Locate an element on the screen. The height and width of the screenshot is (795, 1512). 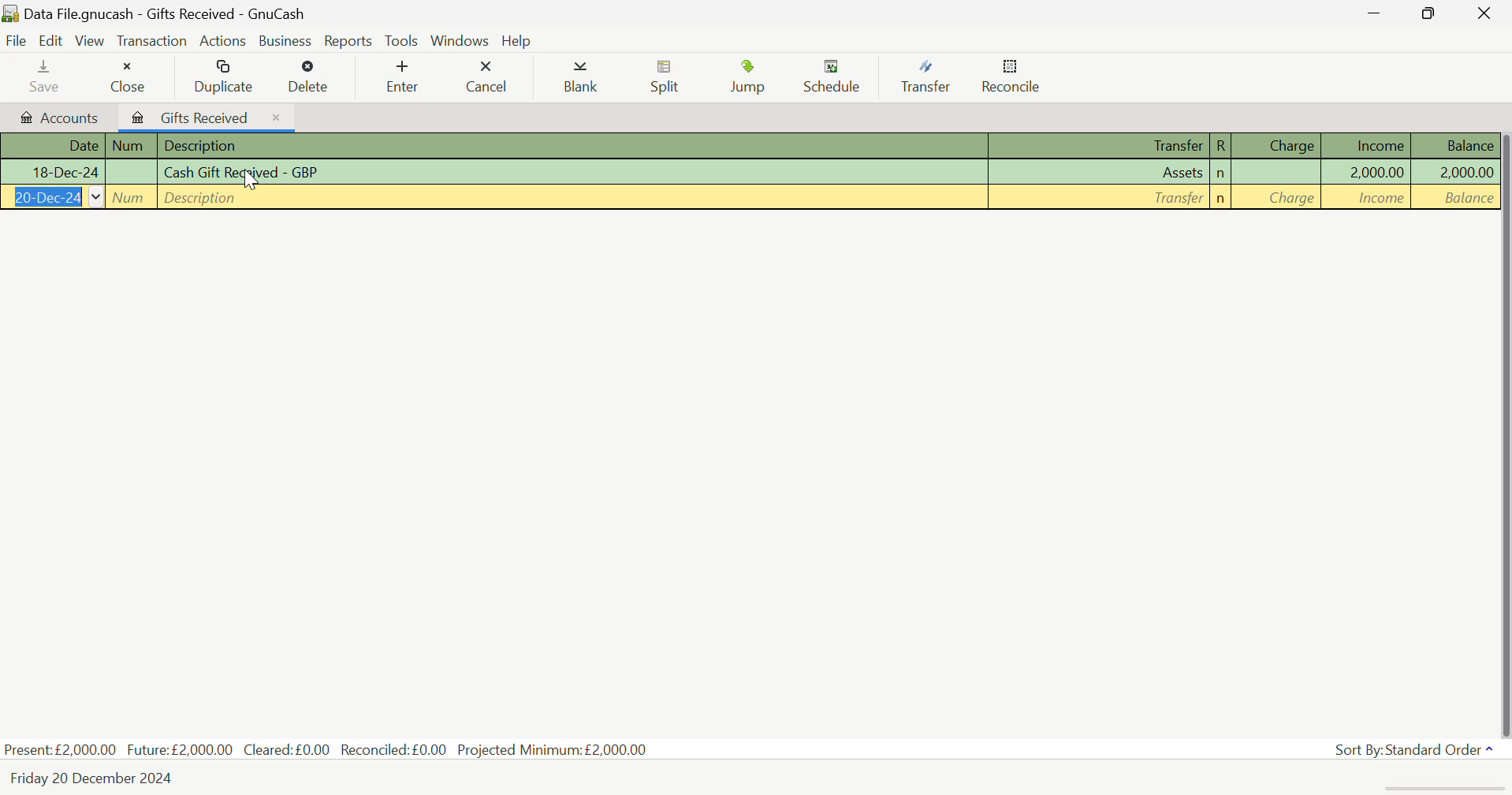
Reconcile is located at coordinates (1011, 77).